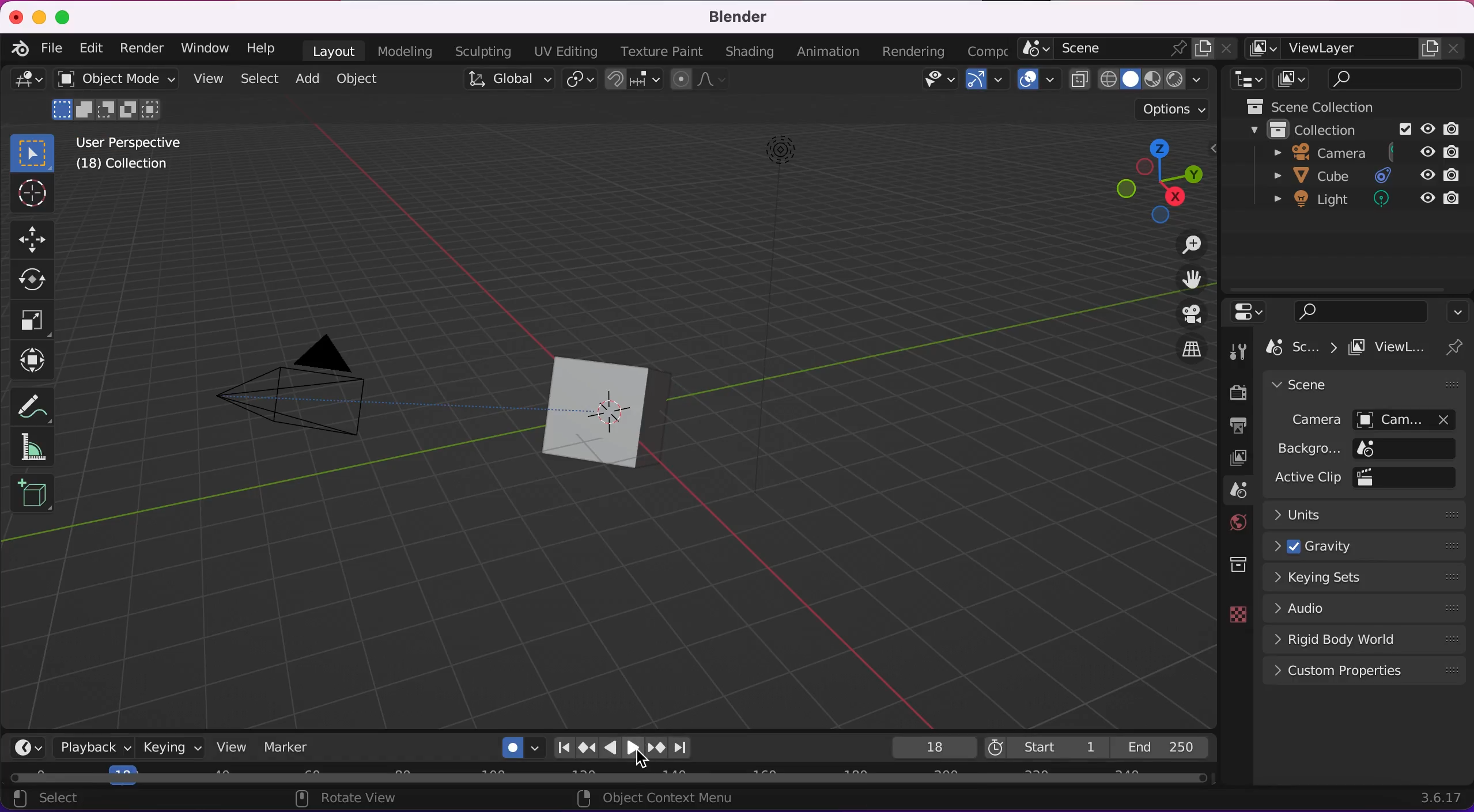 The height and width of the screenshot is (812, 1474). What do you see at coordinates (332, 51) in the screenshot?
I see `layout` at bounding box center [332, 51].